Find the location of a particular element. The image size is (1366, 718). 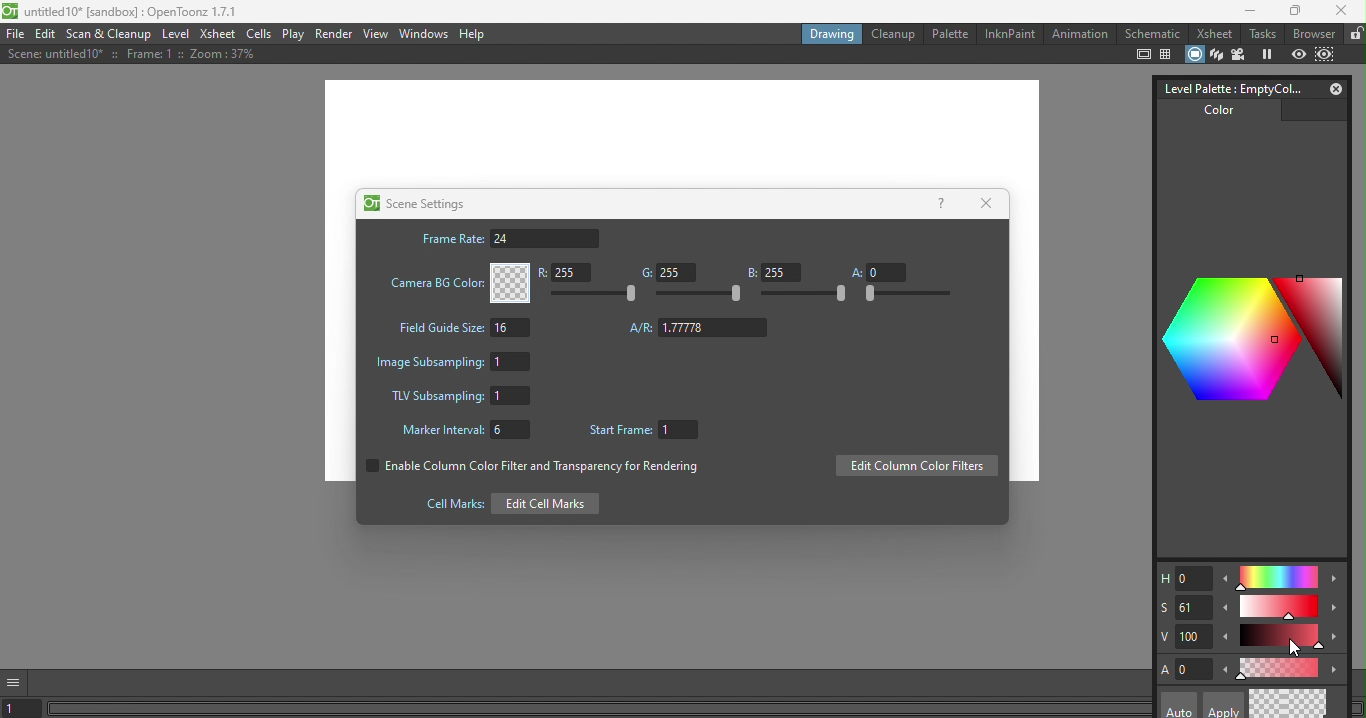

Freeze is located at coordinates (1267, 55).